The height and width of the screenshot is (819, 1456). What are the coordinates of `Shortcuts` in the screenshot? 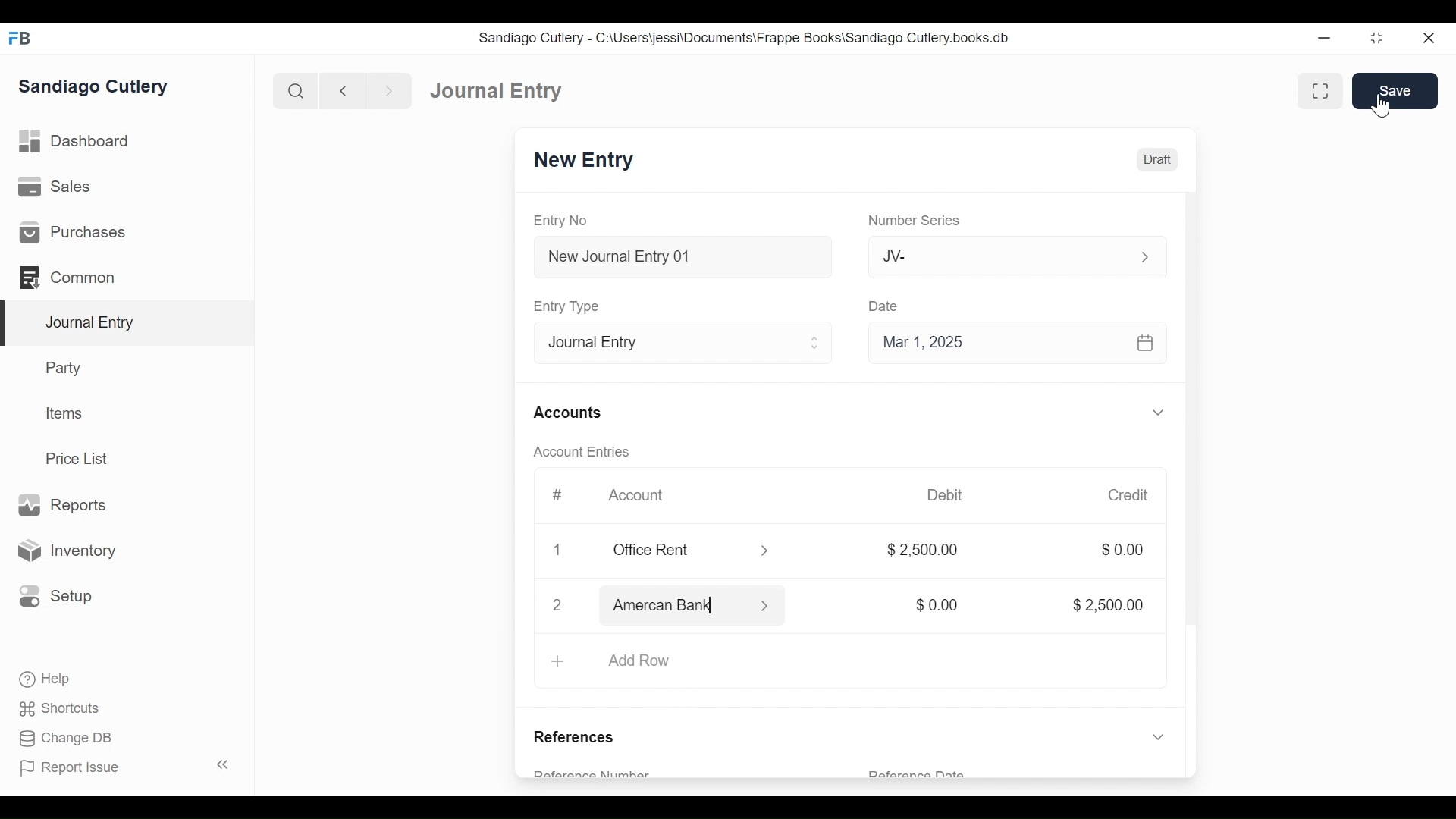 It's located at (52, 709).